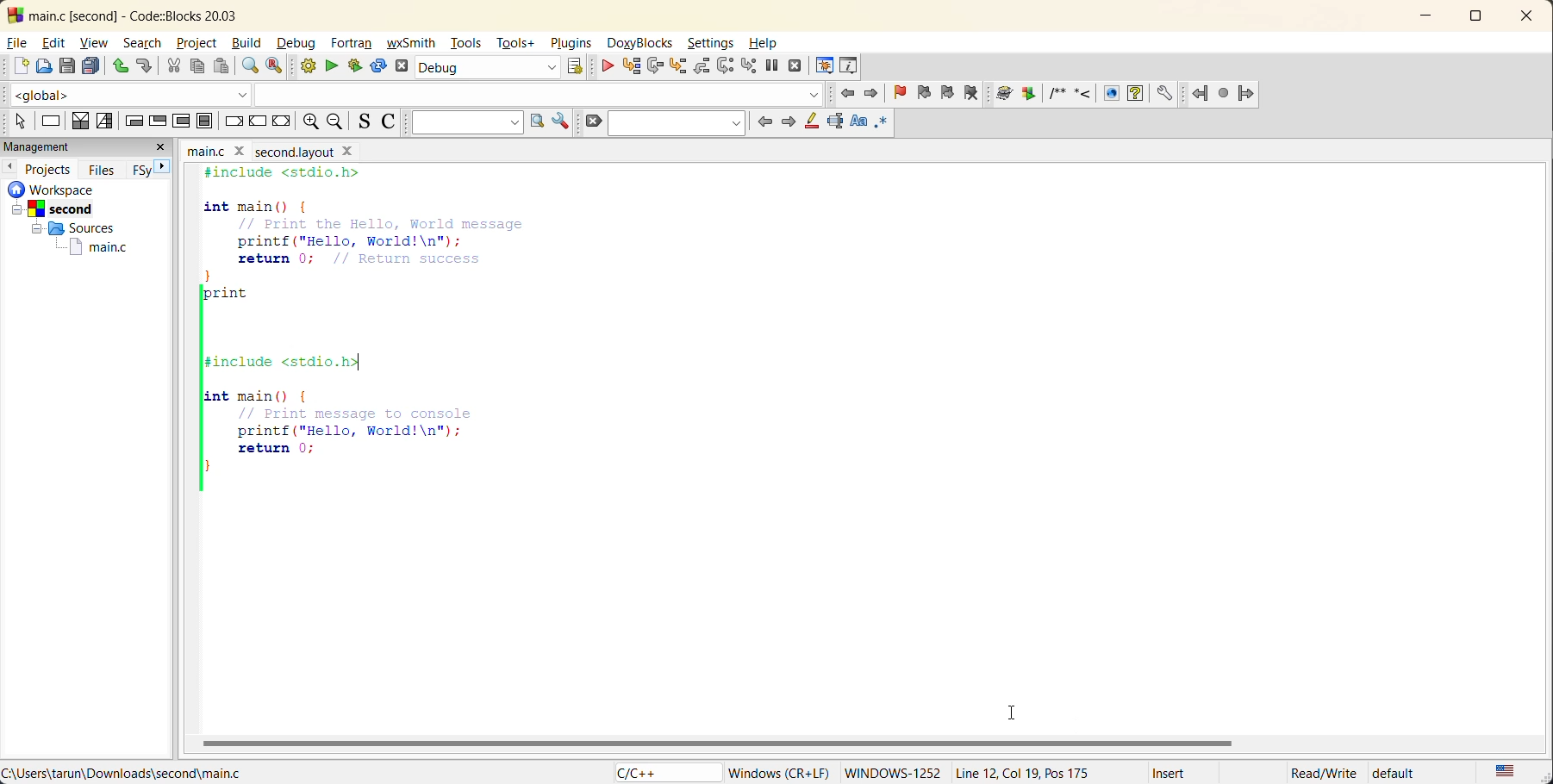 This screenshot has width=1553, height=784. What do you see at coordinates (250, 65) in the screenshot?
I see `find` at bounding box center [250, 65].